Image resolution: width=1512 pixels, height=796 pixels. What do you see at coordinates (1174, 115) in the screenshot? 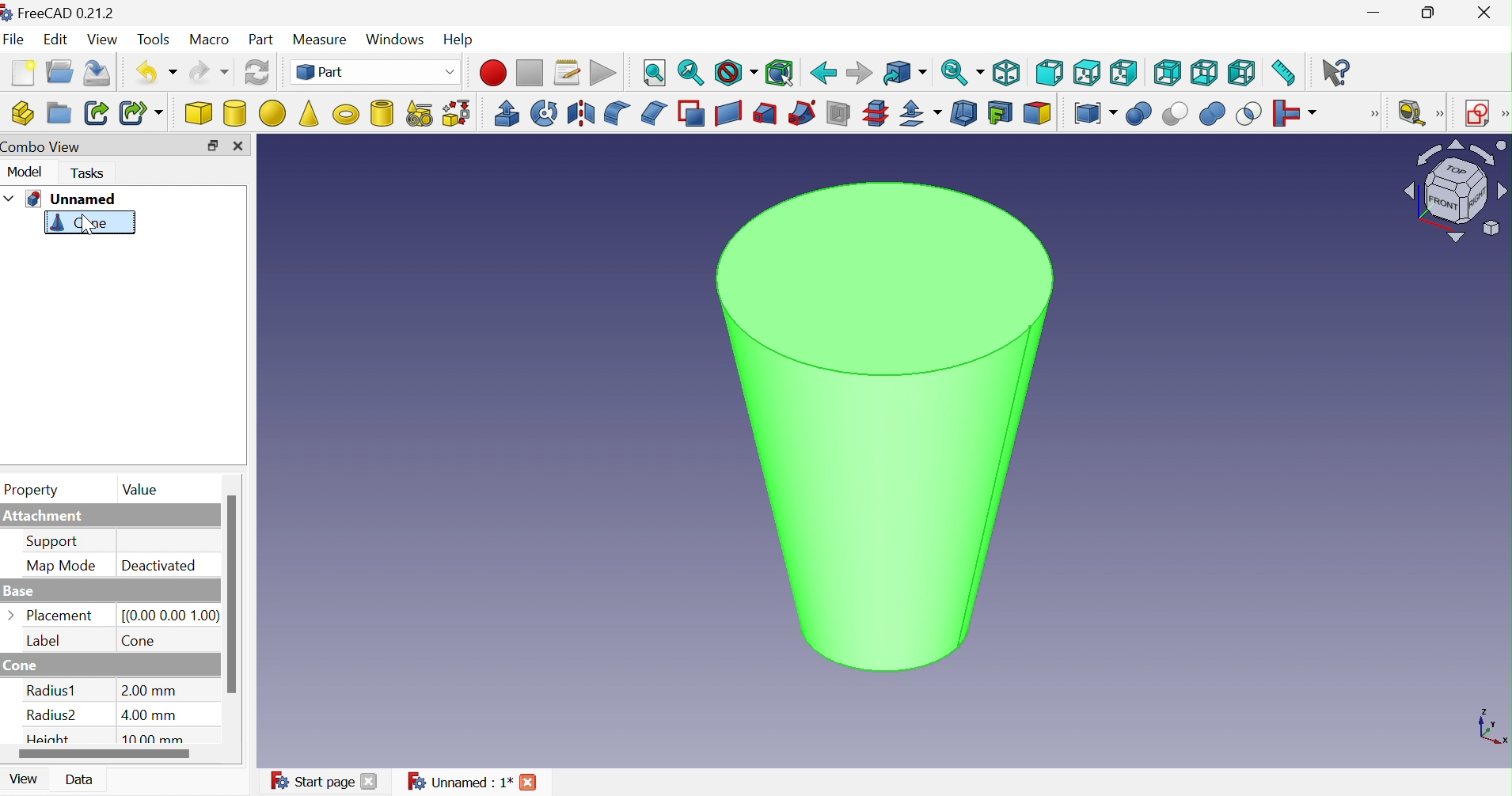
I see `Cut` at bounding box center [1174, 115].